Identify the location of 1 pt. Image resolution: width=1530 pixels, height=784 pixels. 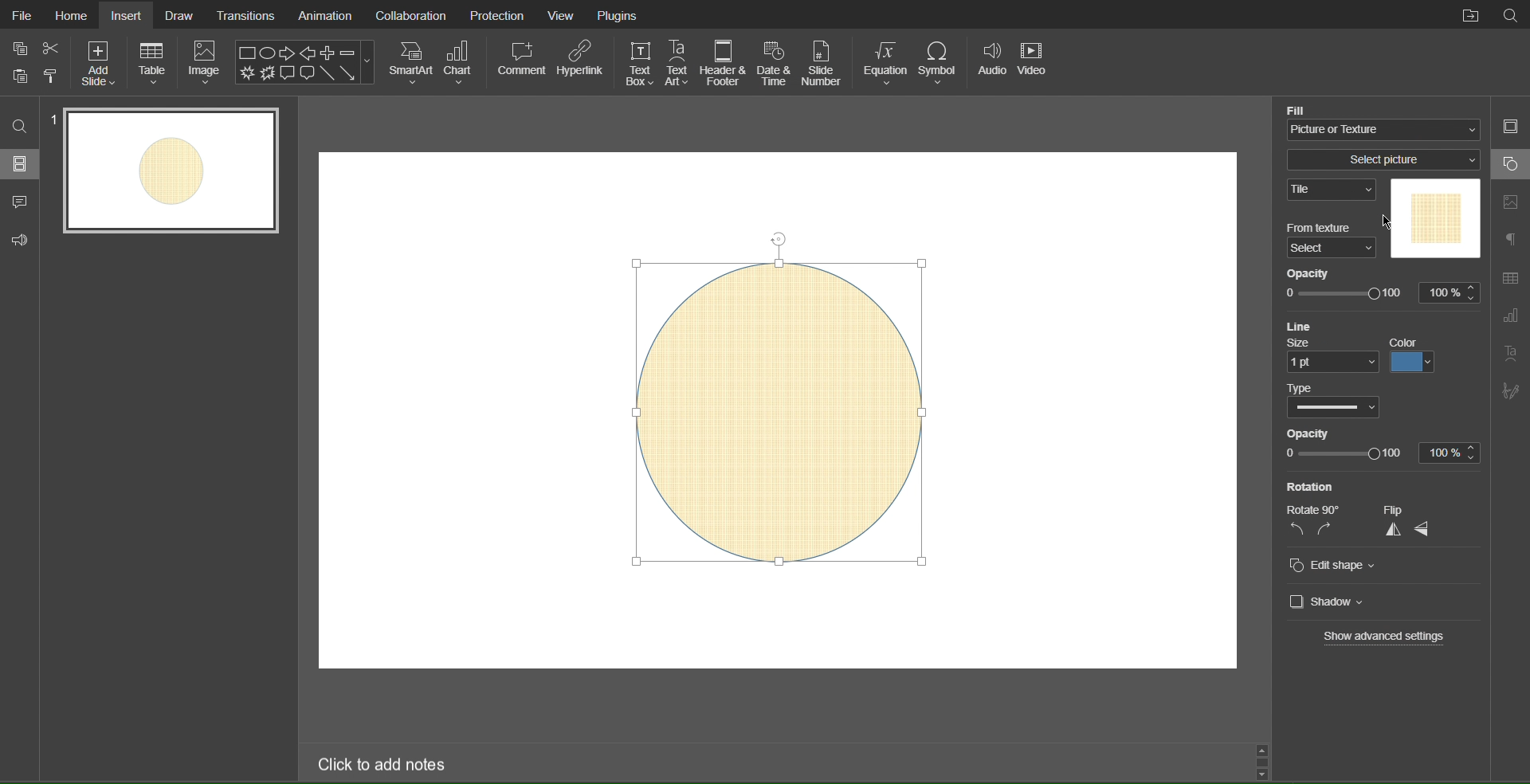
(1330, 364).